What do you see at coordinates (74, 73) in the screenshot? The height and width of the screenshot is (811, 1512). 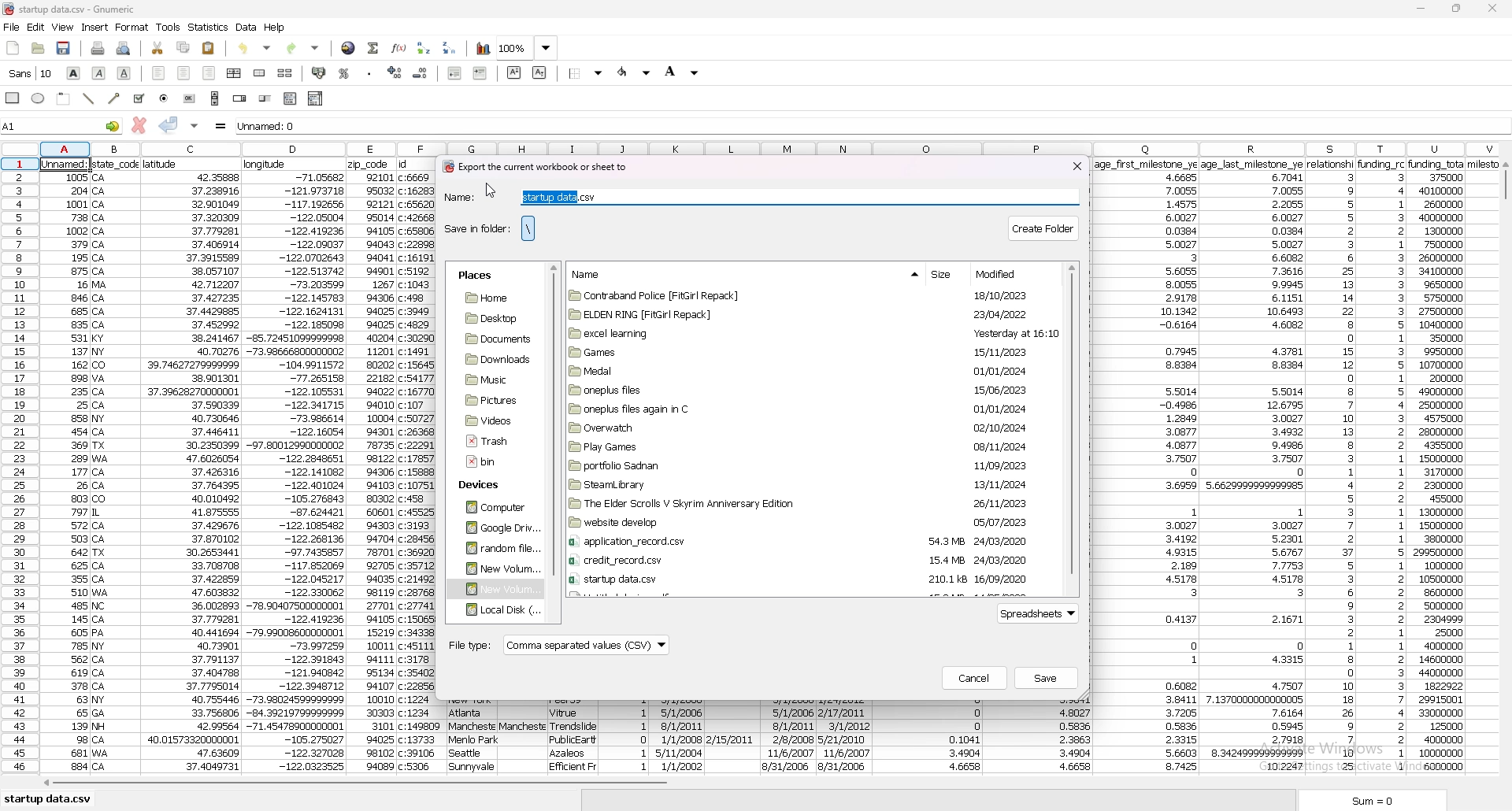 I see `bold` at bounding box center [74, 73].